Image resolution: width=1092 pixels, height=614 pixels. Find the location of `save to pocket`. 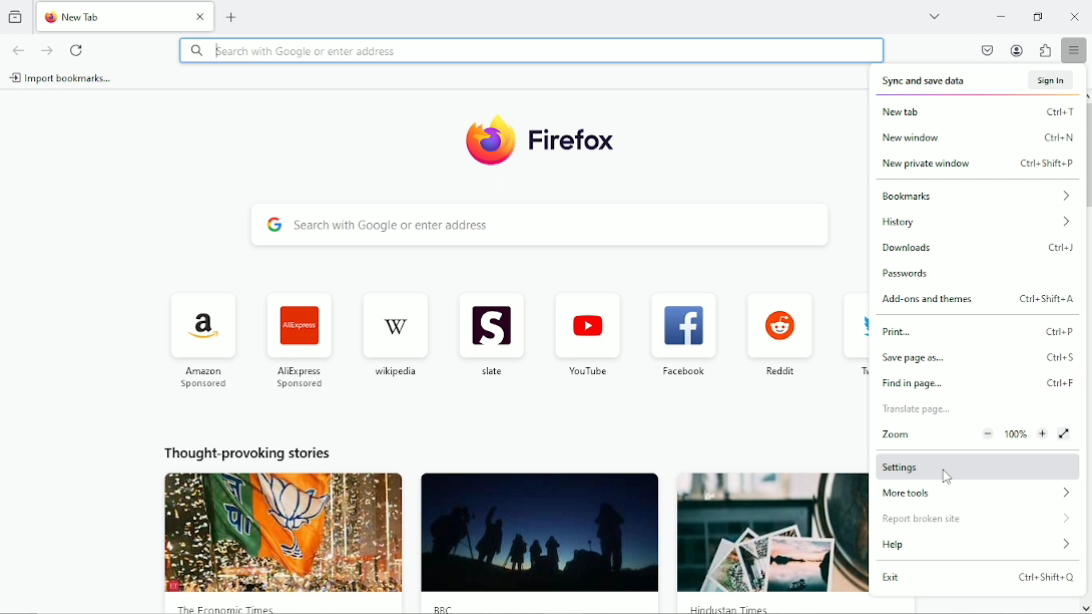

save to pocket is located at coordinates (985, 50).